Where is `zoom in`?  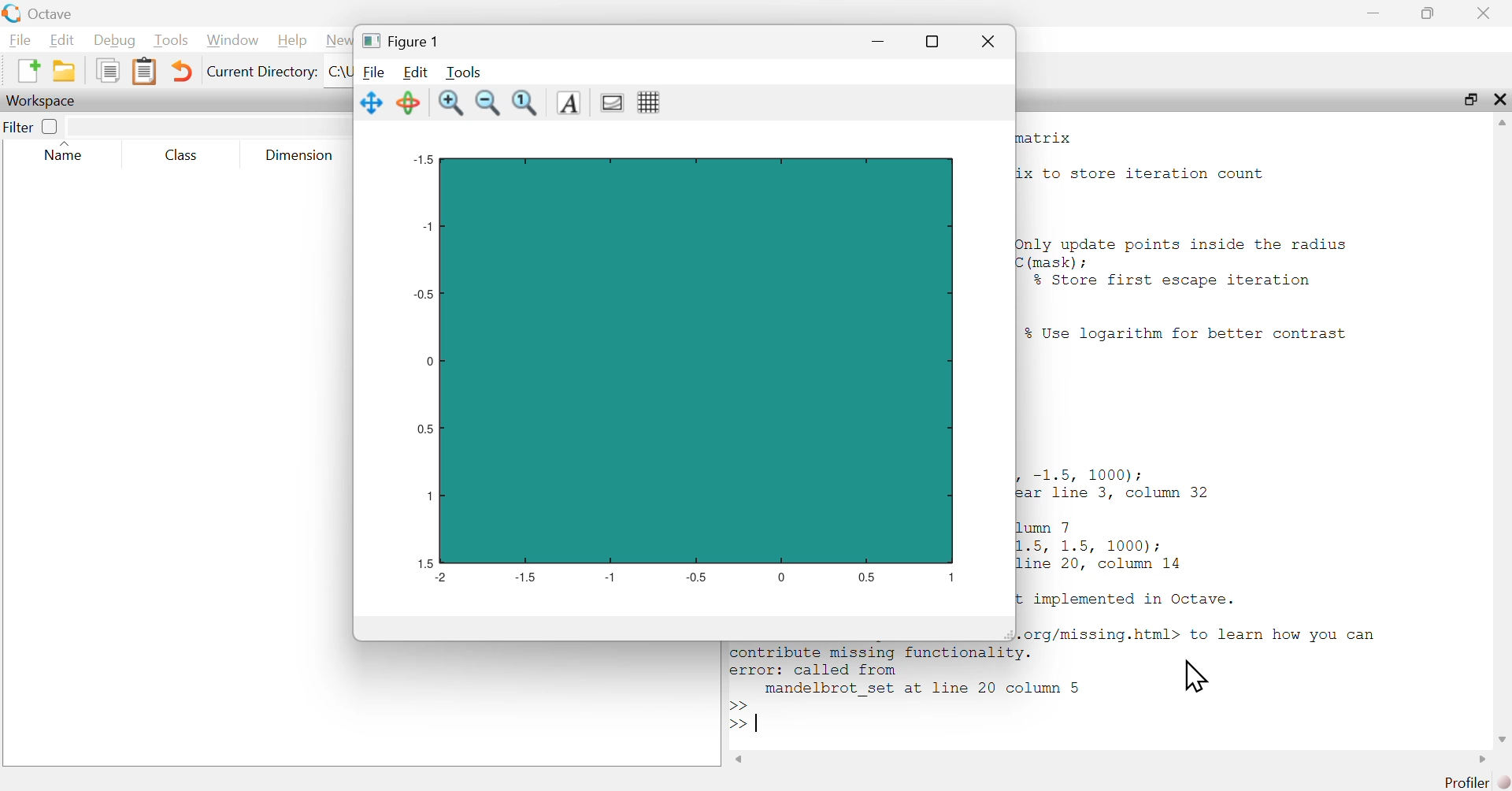 zoom in is located at coordinates (451, 103).